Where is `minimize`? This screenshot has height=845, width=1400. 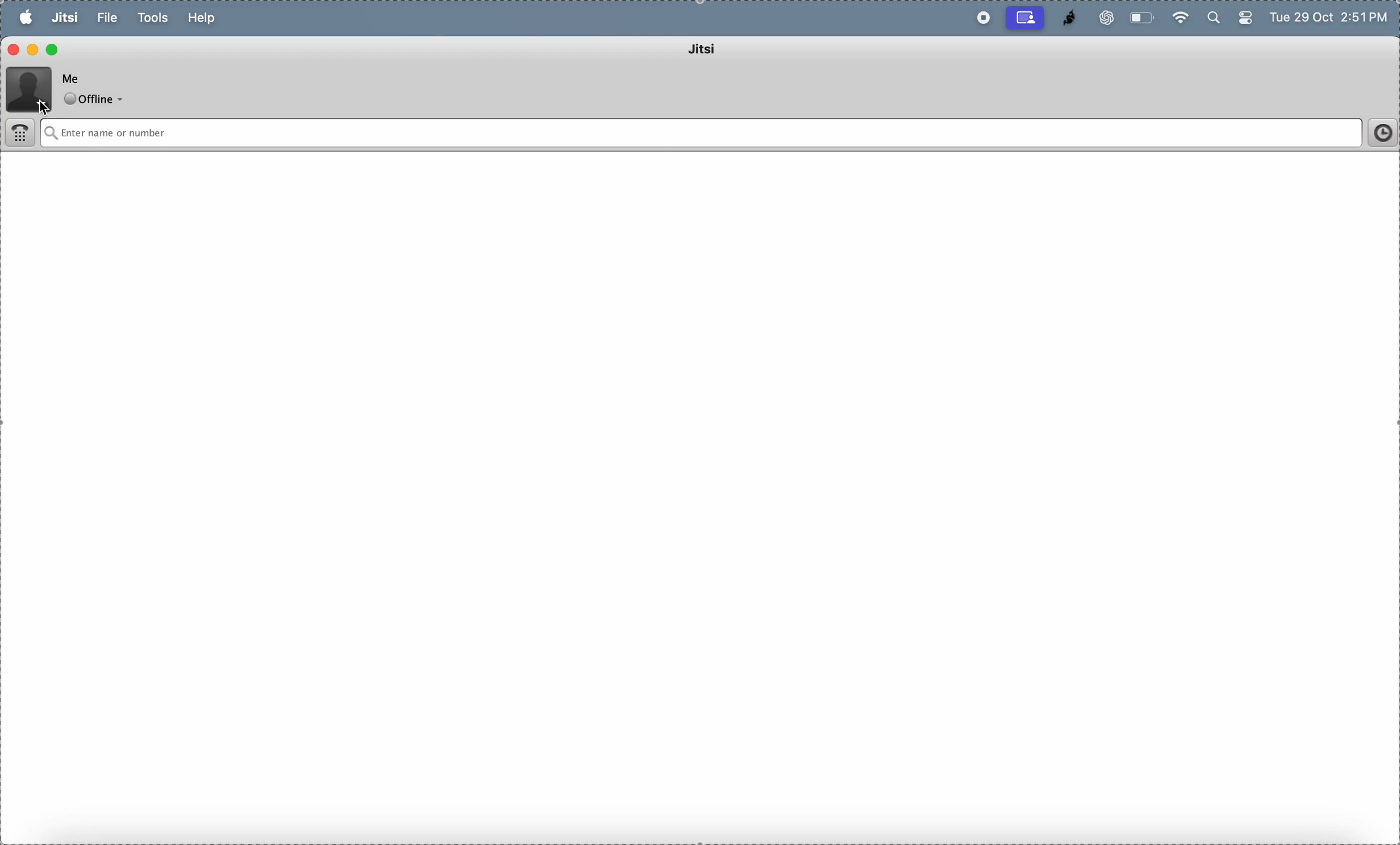 minimize is located at coordinates (35, 49).